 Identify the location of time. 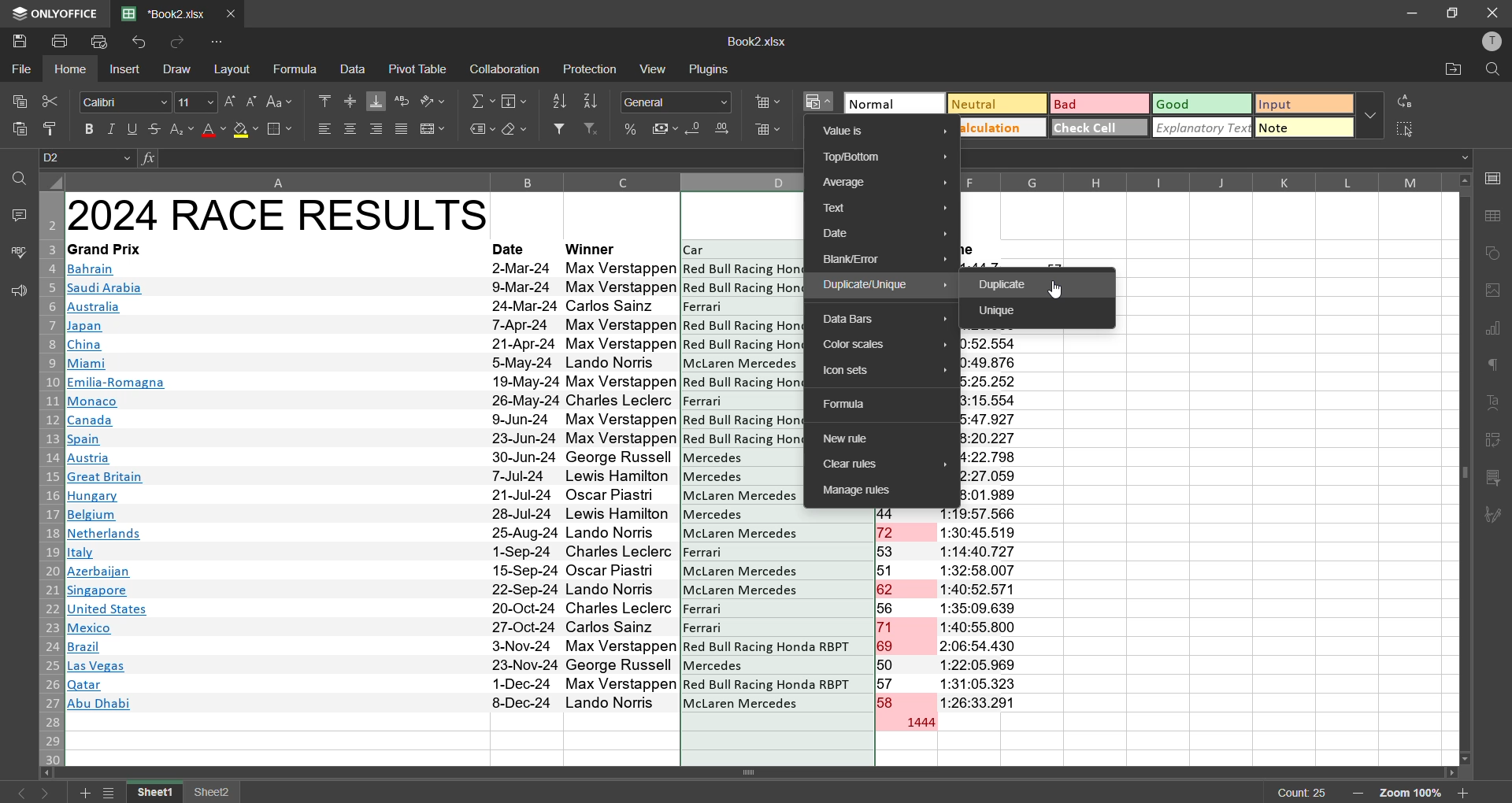
(982, 609).